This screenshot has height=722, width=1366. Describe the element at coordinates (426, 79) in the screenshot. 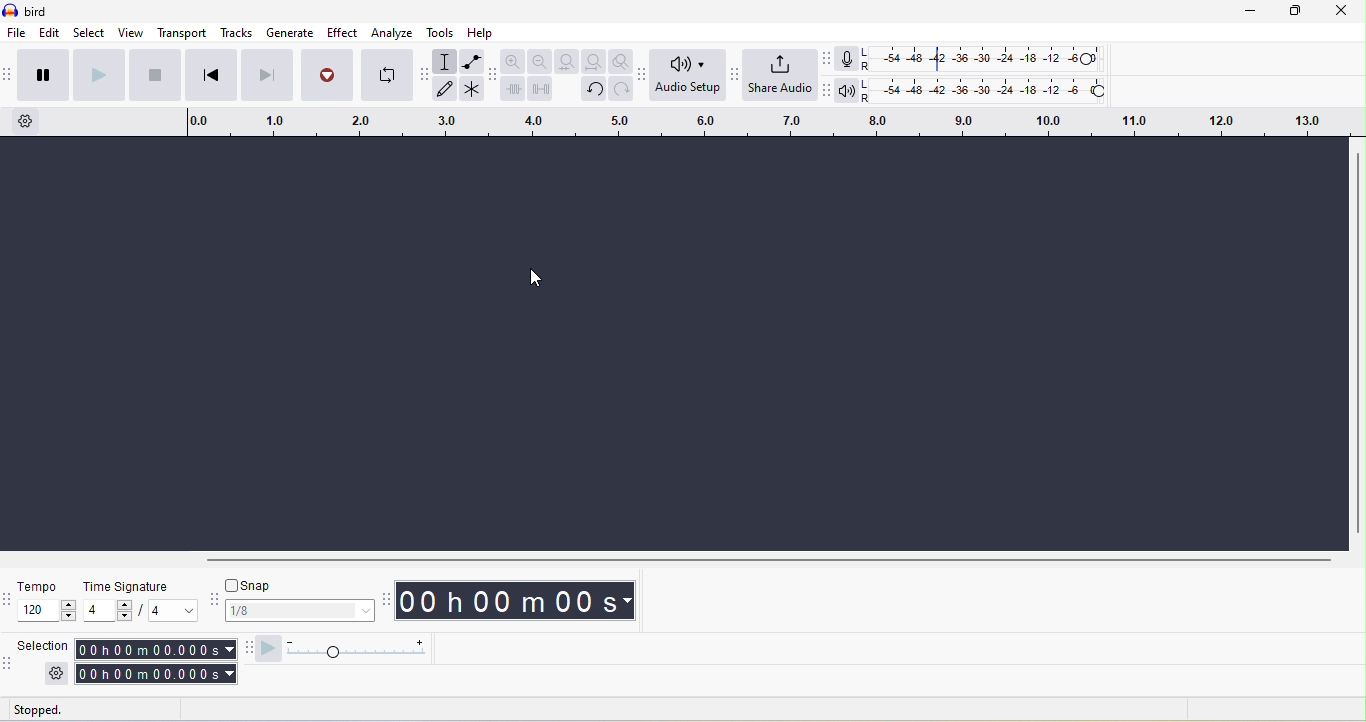

I see `audacity tools toolbar` at that location.